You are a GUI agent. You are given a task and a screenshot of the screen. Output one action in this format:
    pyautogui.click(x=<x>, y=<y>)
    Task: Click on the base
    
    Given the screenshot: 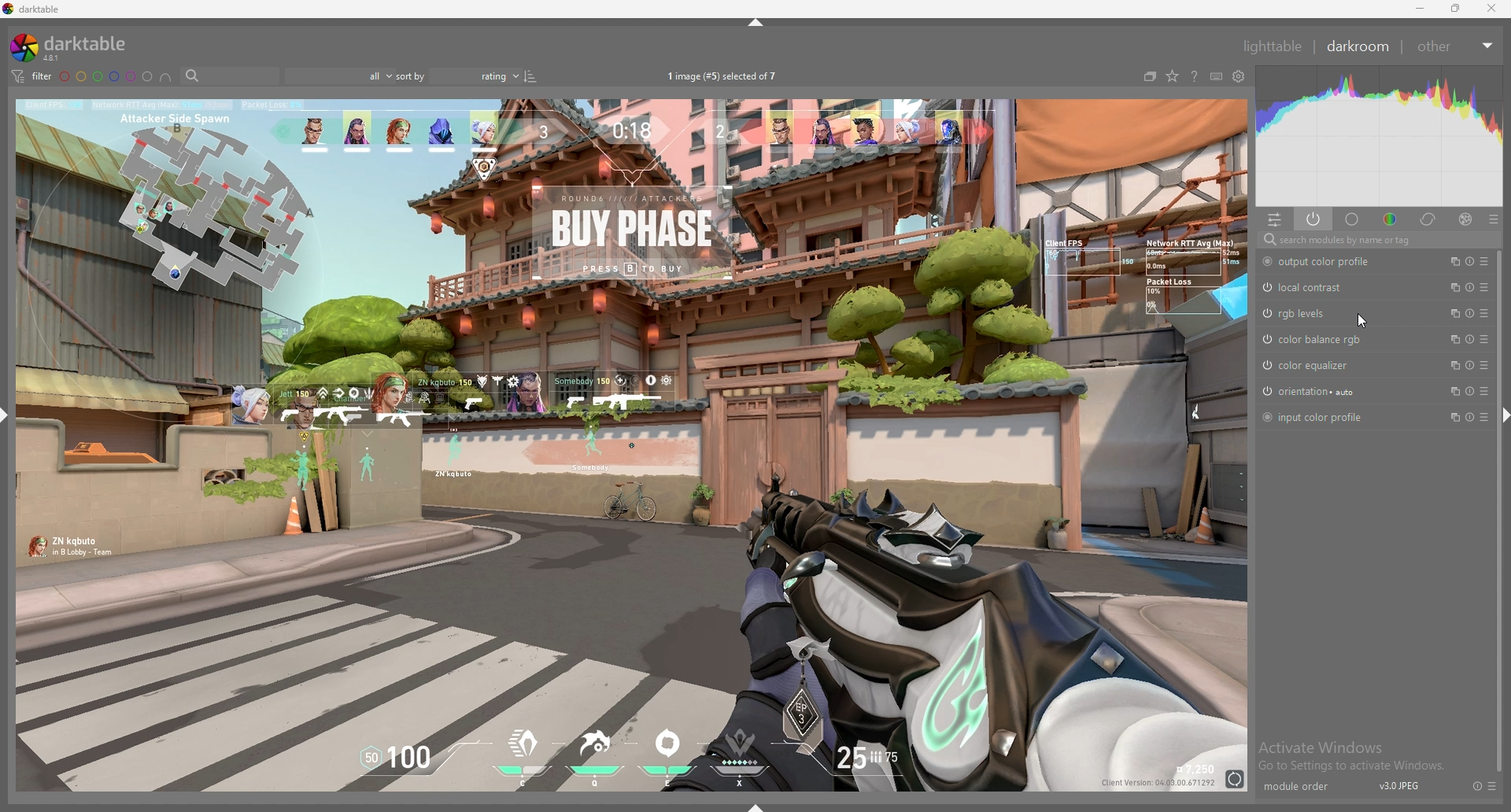 What is the action you would take?
    pyautogui.click(x=1353, y=220)
    